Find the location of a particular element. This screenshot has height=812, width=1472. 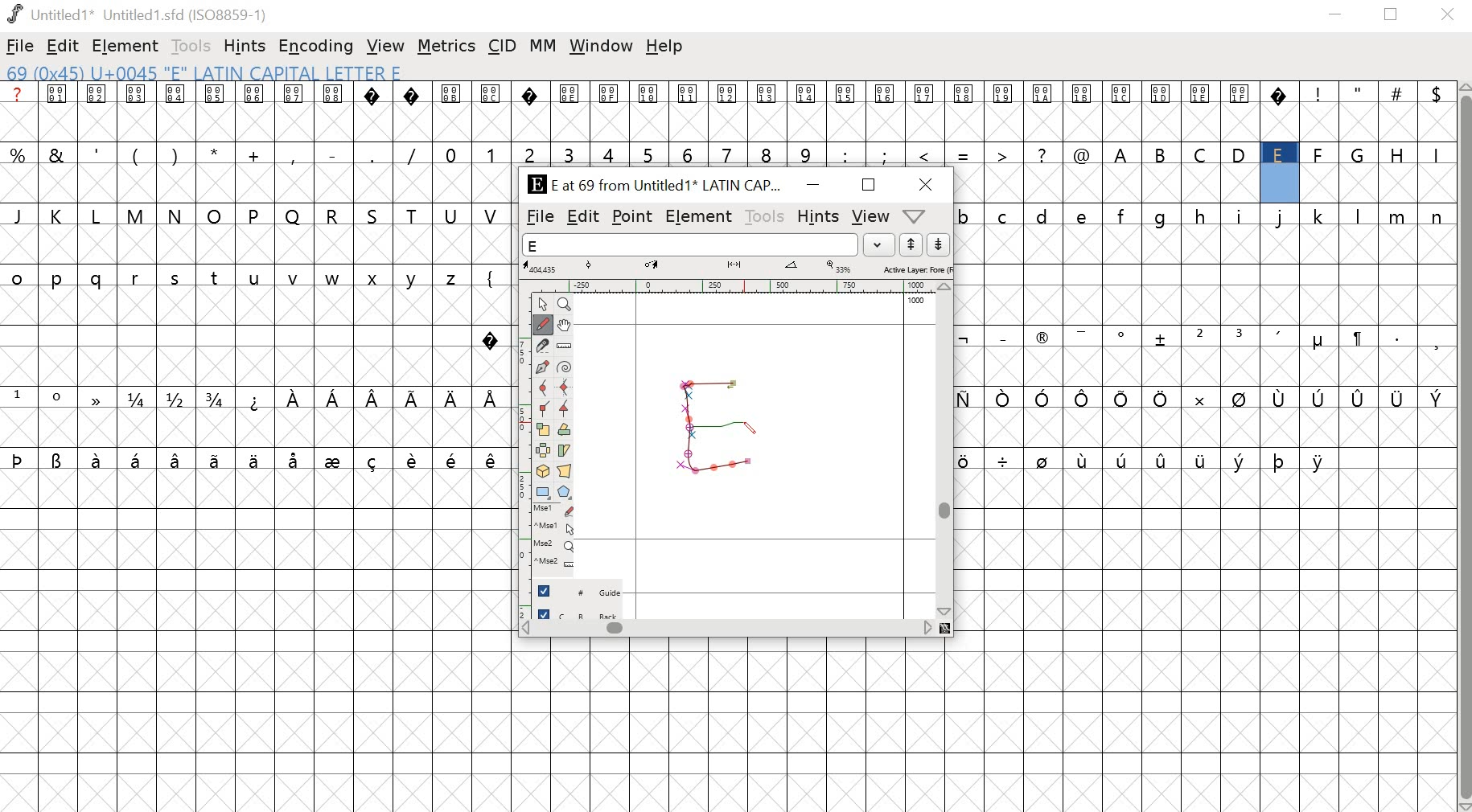

special character is located at coordinates (491, 338).